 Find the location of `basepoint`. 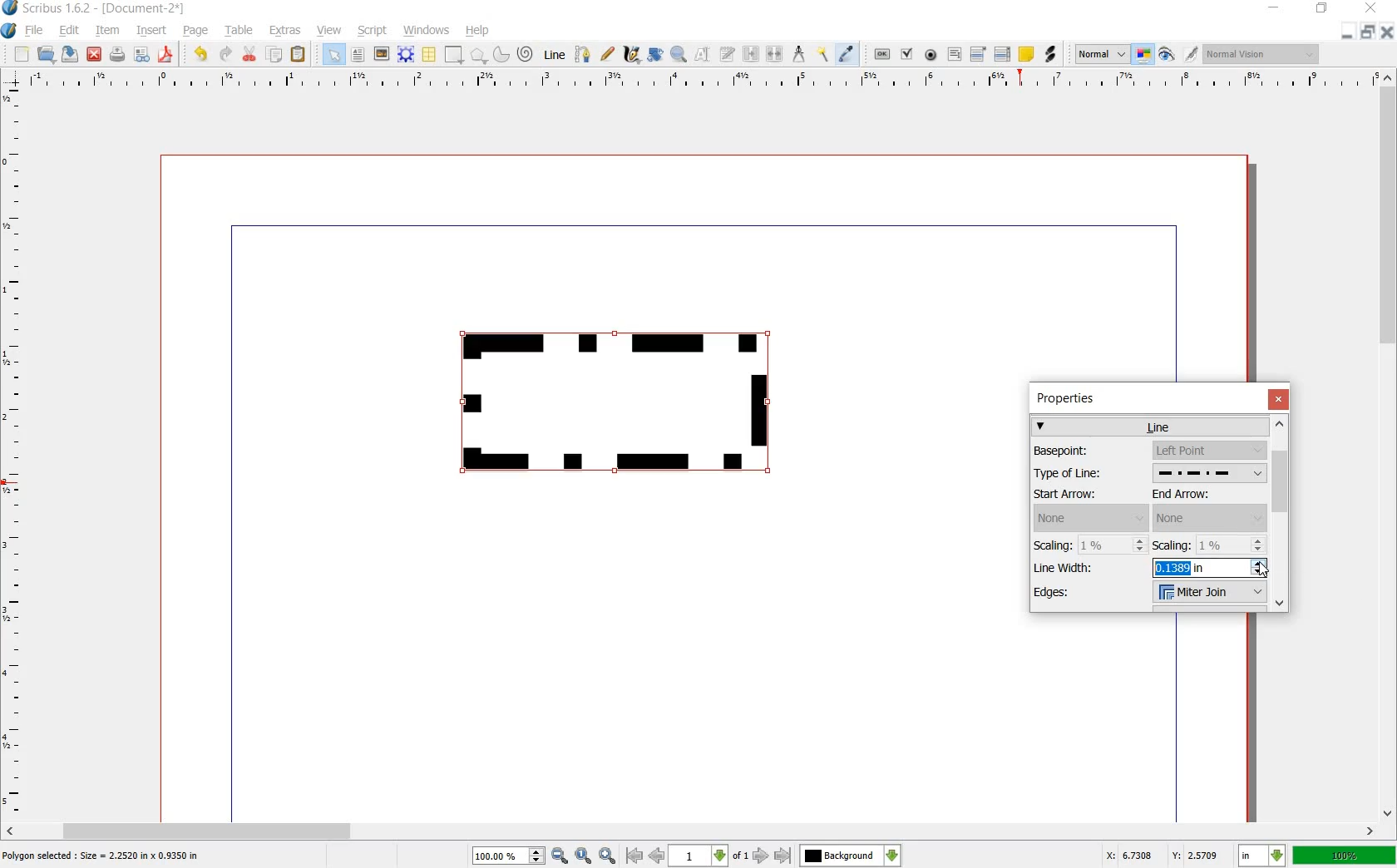

basepoint is located at coordinates (1209, 451).